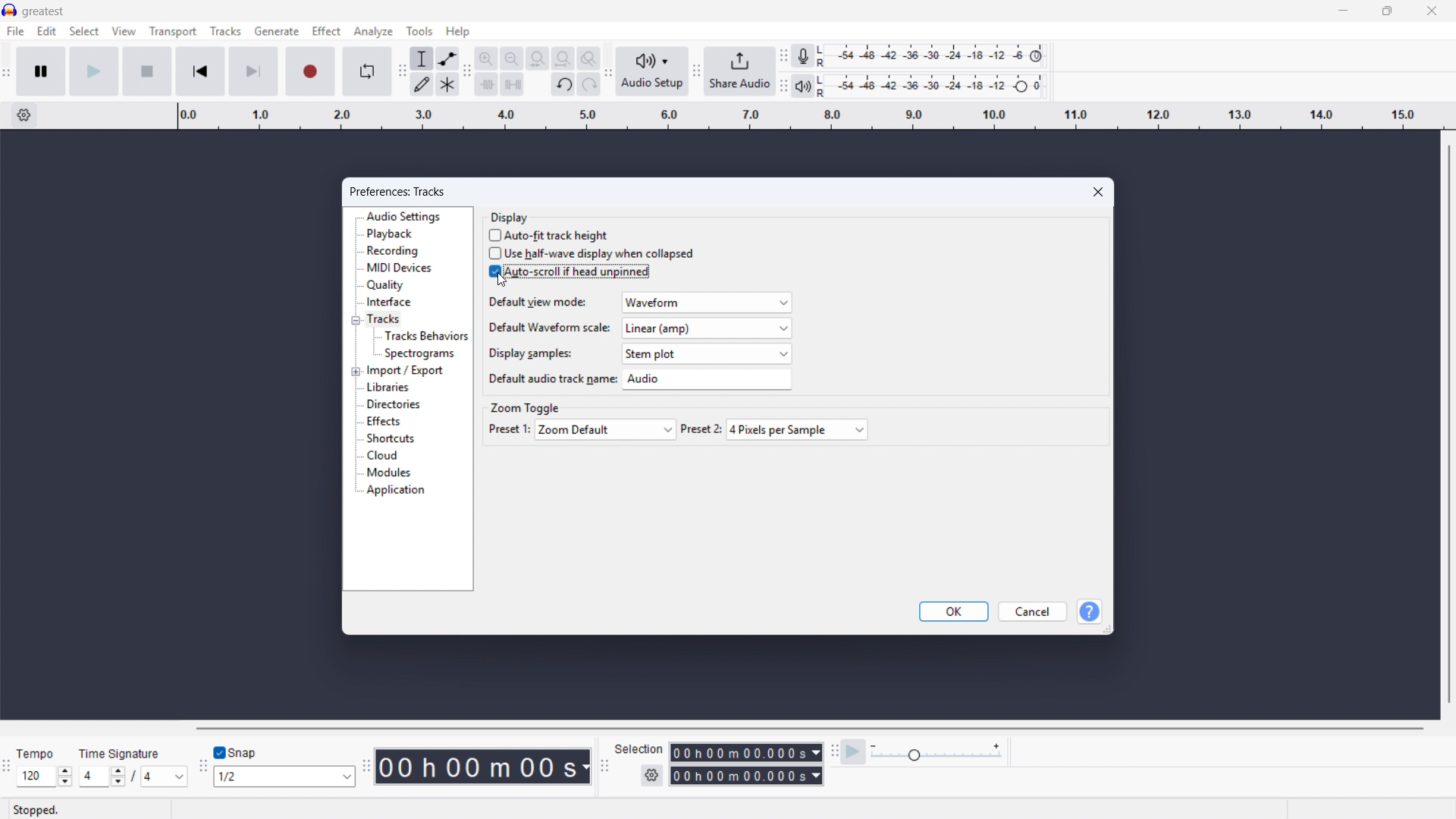 The width and height of the screenshot is (1456, 819). I want to click on Playback metre , so click(803, 86).